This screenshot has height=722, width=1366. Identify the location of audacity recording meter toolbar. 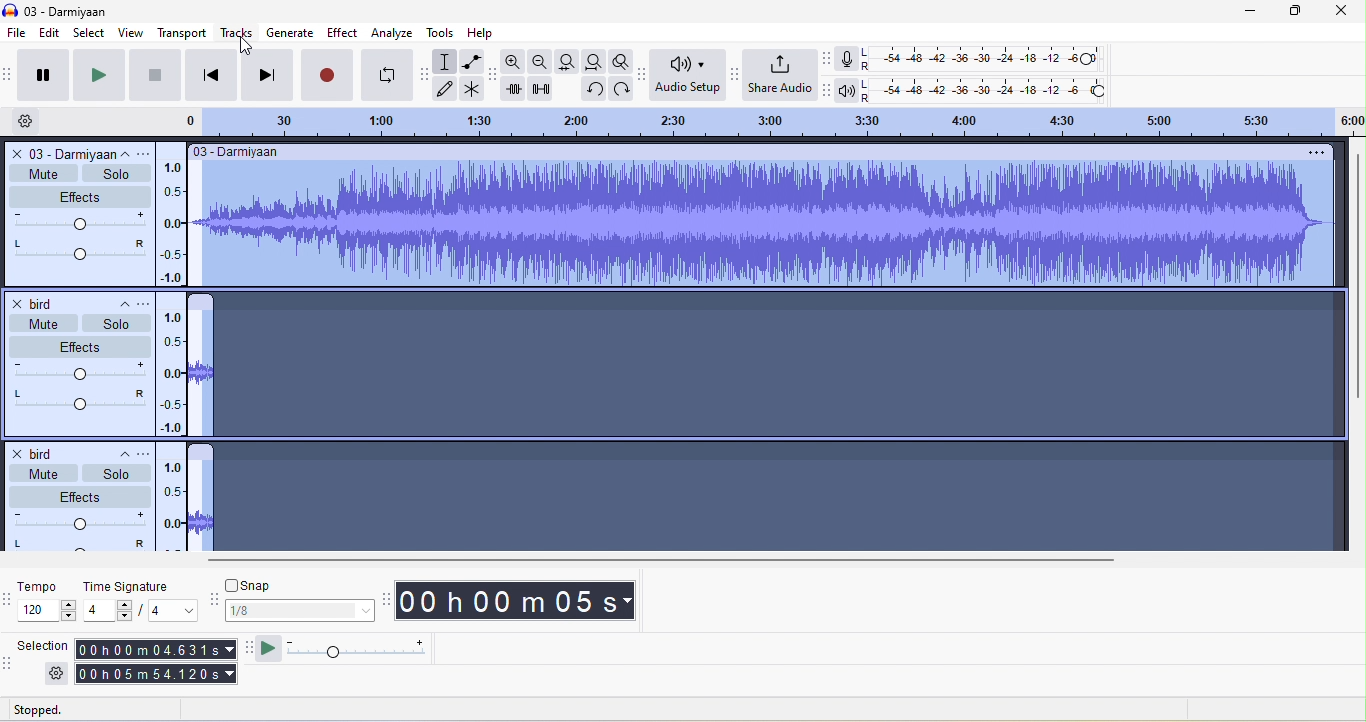
(829, 60).